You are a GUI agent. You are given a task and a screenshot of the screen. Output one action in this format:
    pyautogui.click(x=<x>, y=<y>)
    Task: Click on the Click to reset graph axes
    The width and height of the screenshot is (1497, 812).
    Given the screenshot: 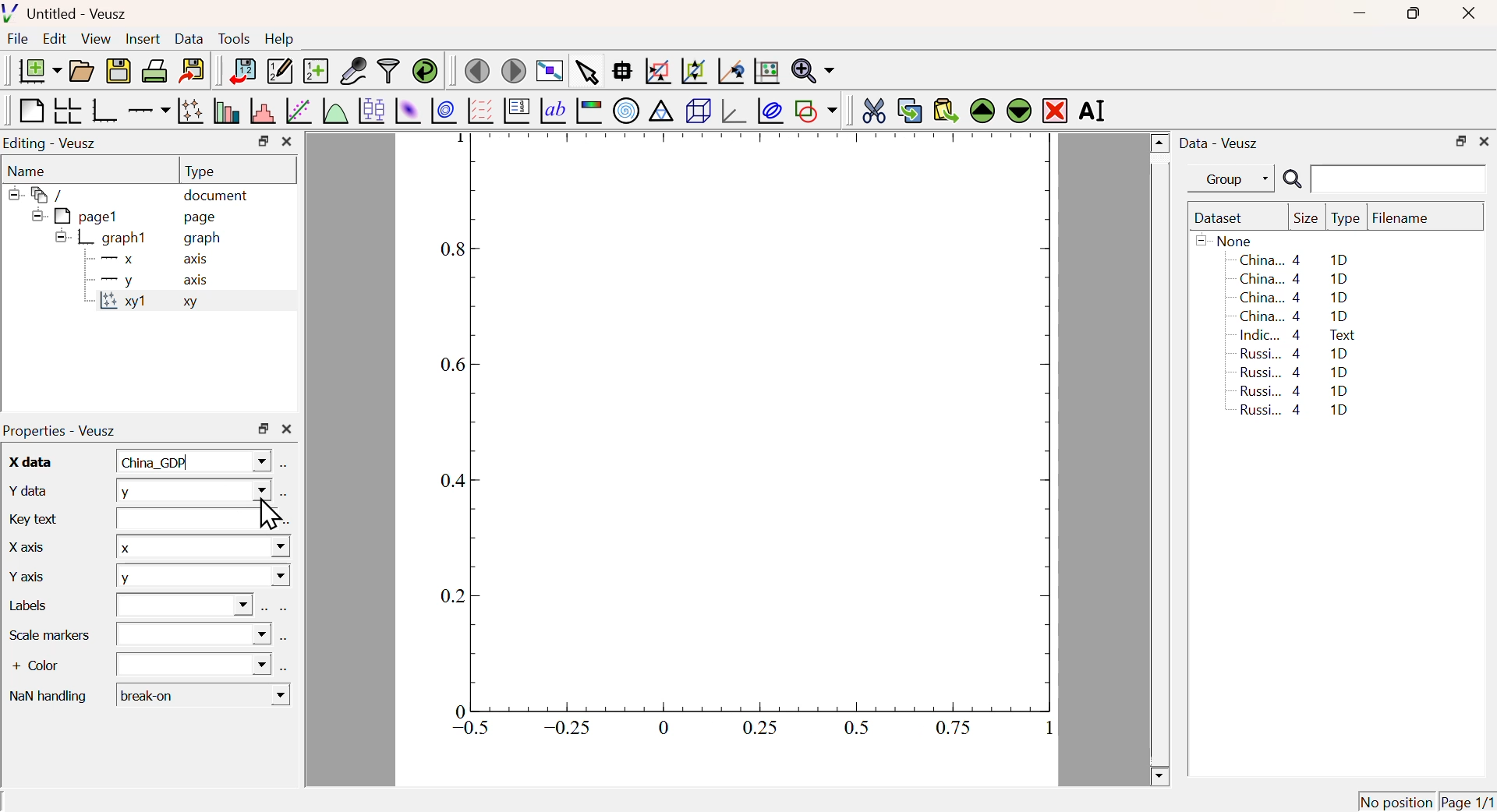 What is the action you would take?
    pyautogui.click(x=728, y=72)
    